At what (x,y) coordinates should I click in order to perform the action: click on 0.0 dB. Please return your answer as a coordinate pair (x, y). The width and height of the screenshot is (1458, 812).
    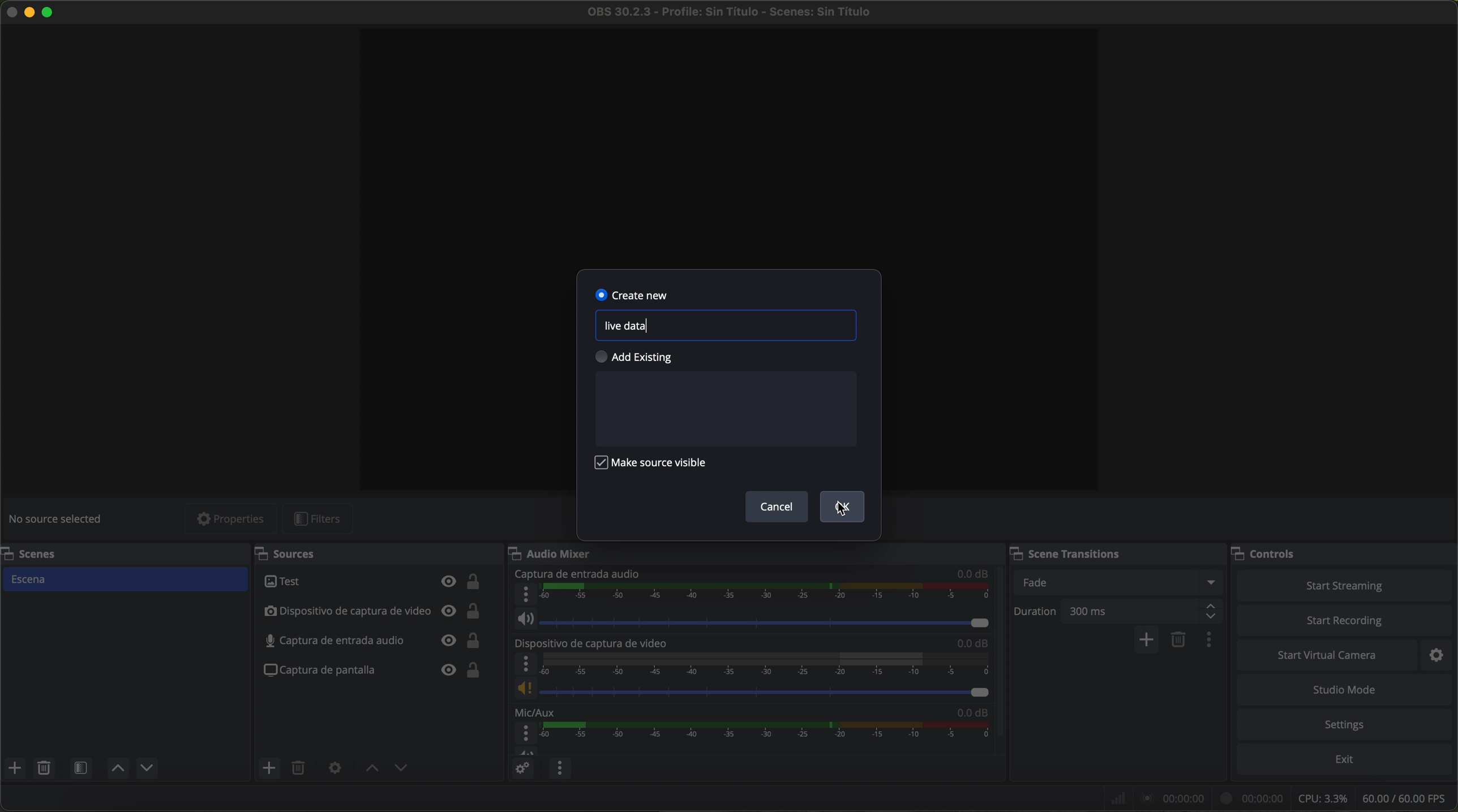
    Looking at the image, I should click on (967, 643).